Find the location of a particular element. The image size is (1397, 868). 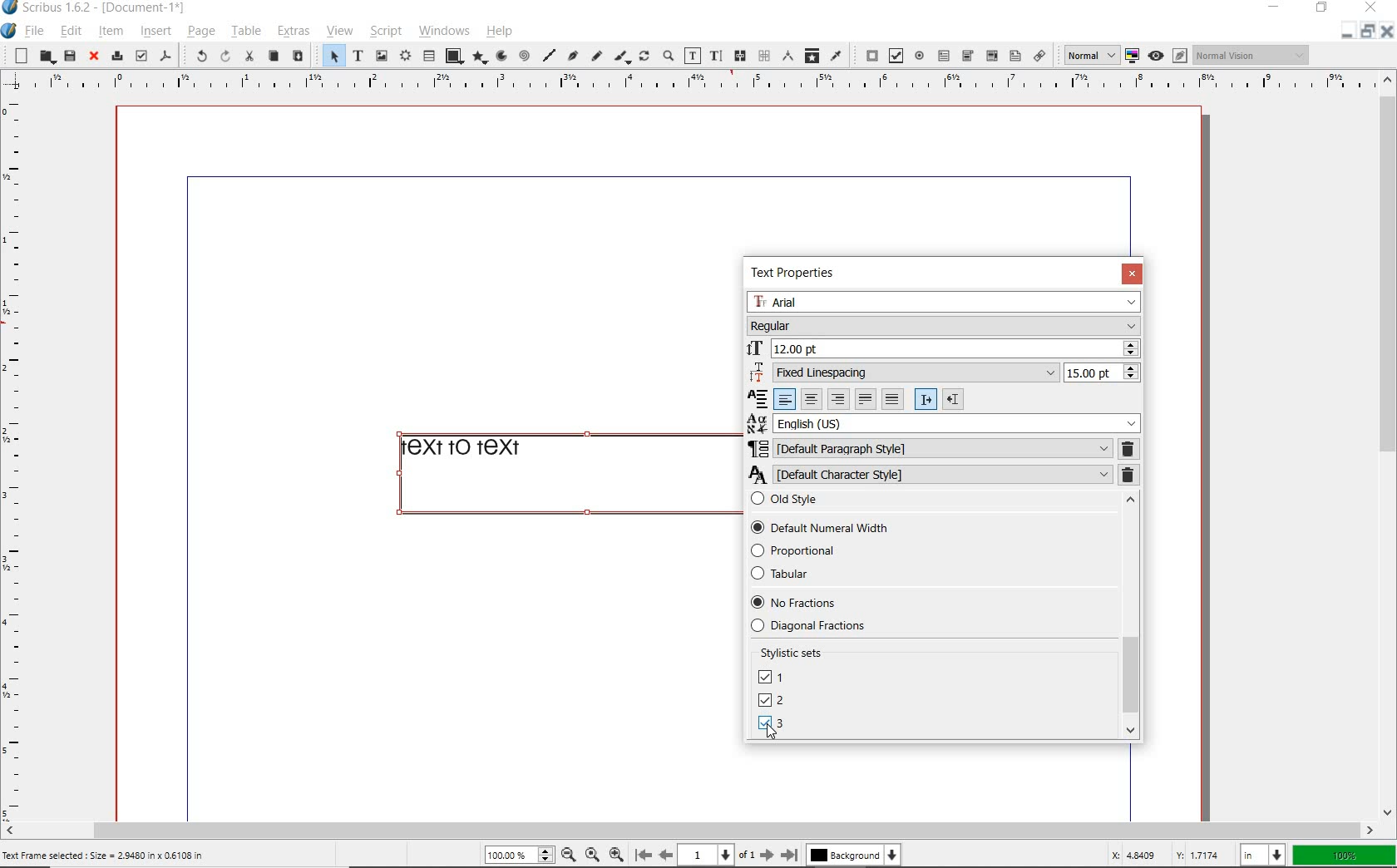

spiral is located at coordinates (524, 57).